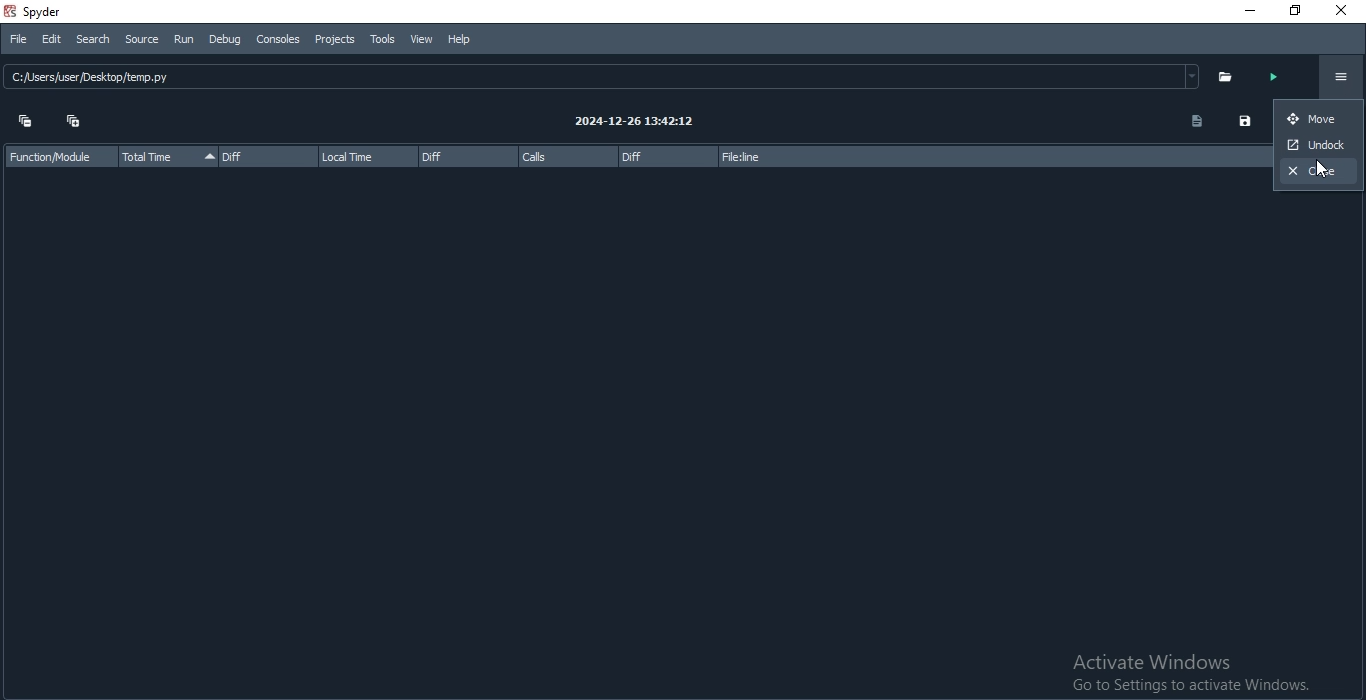 Image resolution: width=1366 pixels, height=700 pixels. Describe the element at coordinates (53, 41) in the screenshot. I see `Edit` at that location.